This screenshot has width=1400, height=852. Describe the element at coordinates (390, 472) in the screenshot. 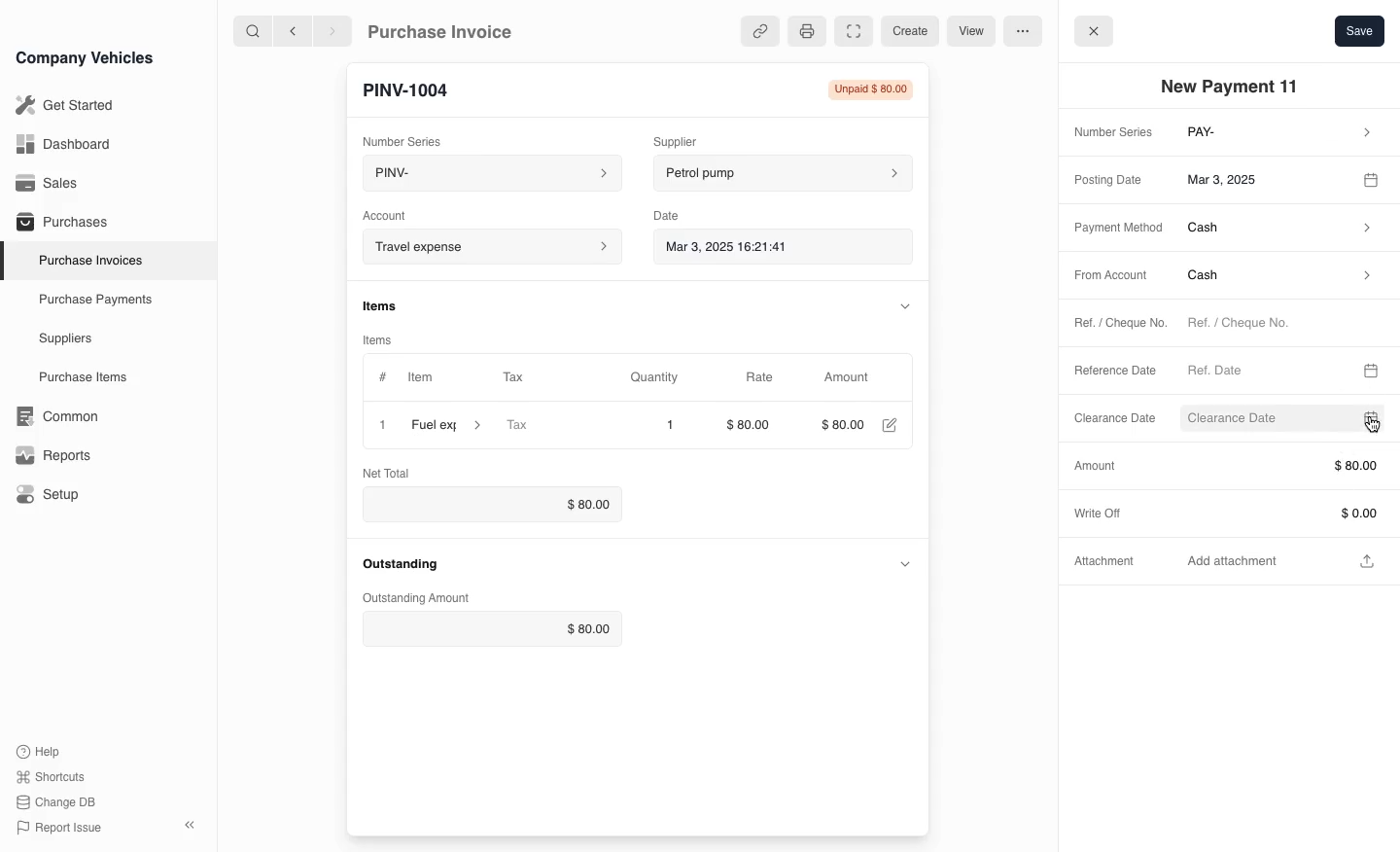

I see `Net Total` at that location.